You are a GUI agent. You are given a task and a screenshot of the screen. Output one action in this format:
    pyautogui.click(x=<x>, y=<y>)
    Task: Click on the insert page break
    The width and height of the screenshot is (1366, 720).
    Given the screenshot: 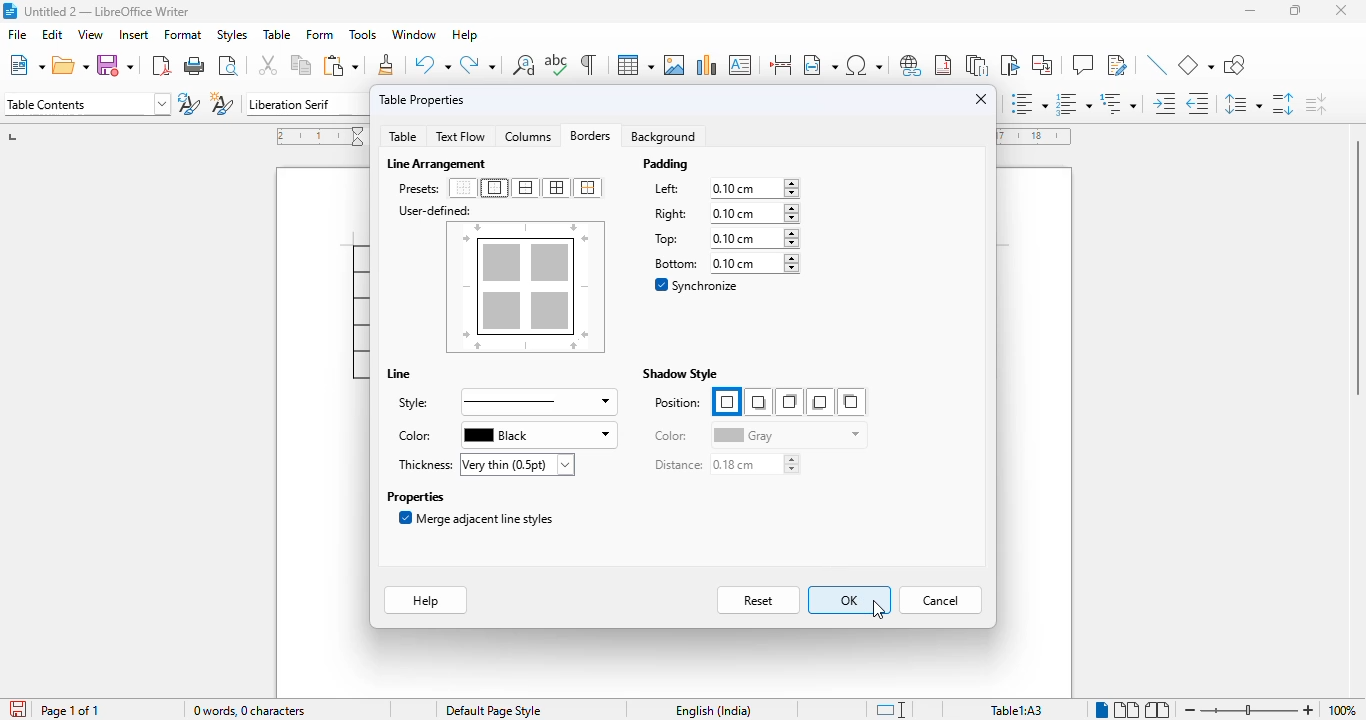 What is the action you would take?
    pyautogui.click(x=781, y=64)
    